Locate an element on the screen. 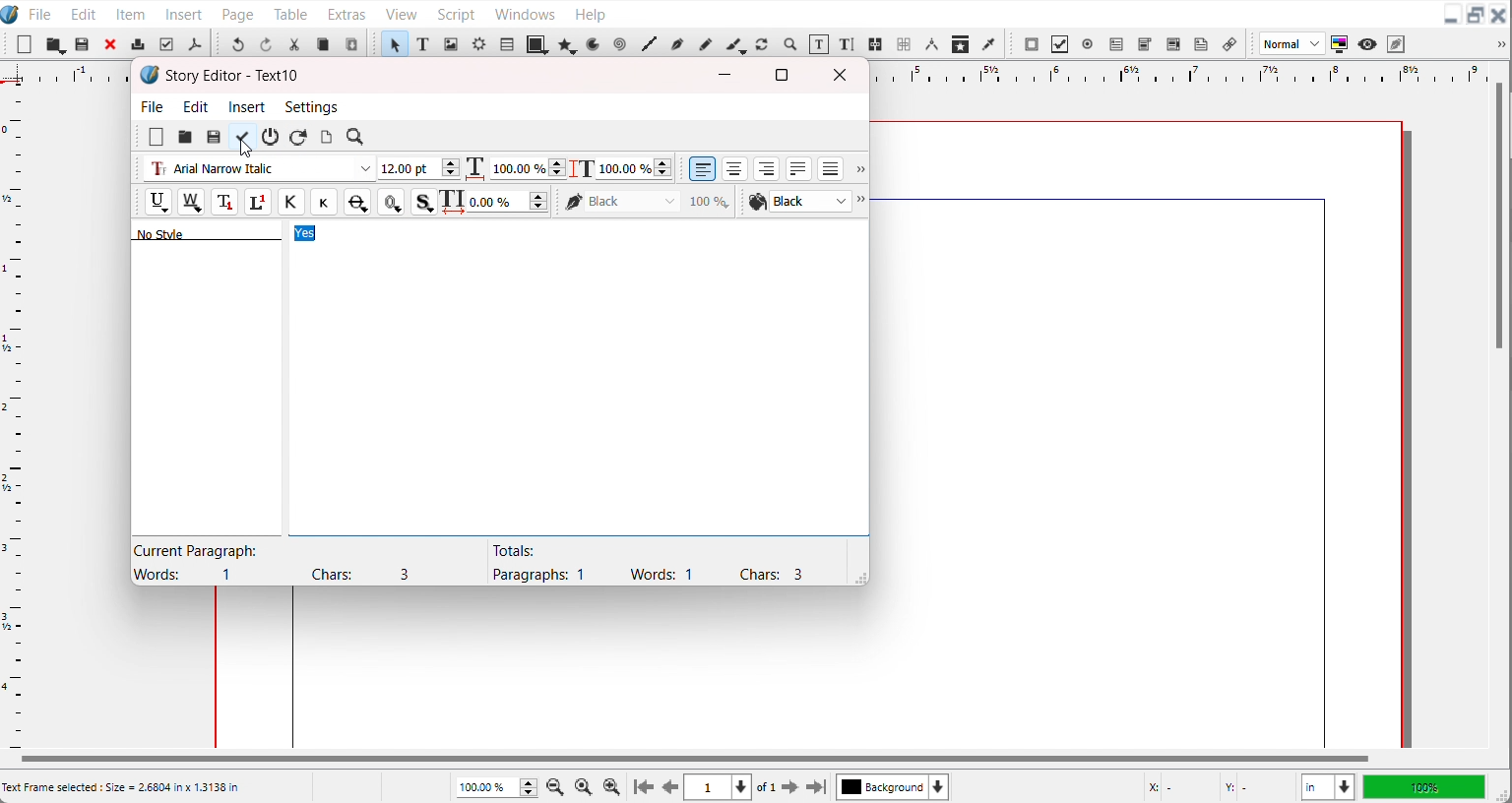 The width and height of the screenshot is (1512, 803). Text is located at coordinates (647, 562).